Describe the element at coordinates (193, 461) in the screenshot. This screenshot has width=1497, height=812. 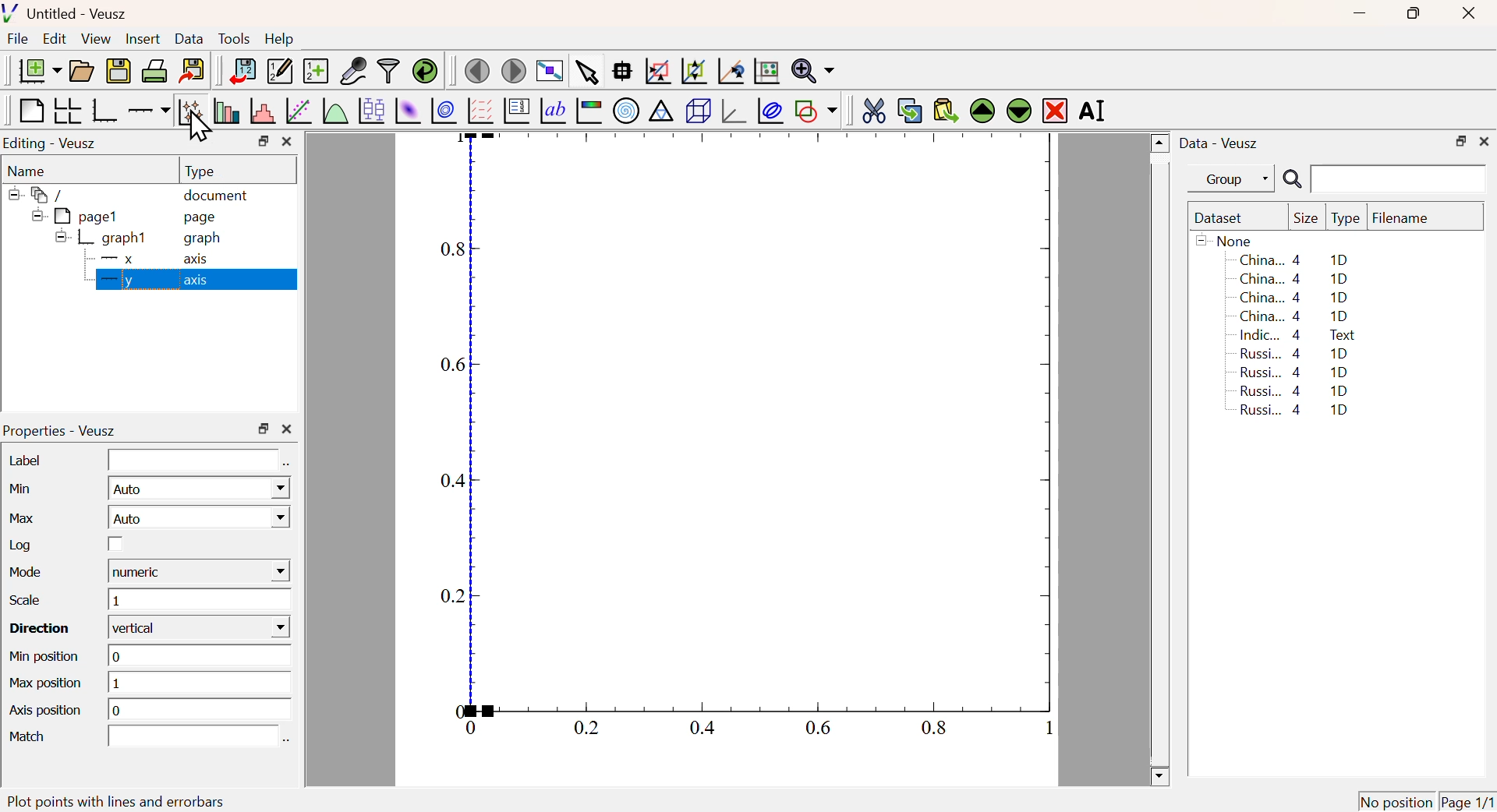
I see `Input` at that location.